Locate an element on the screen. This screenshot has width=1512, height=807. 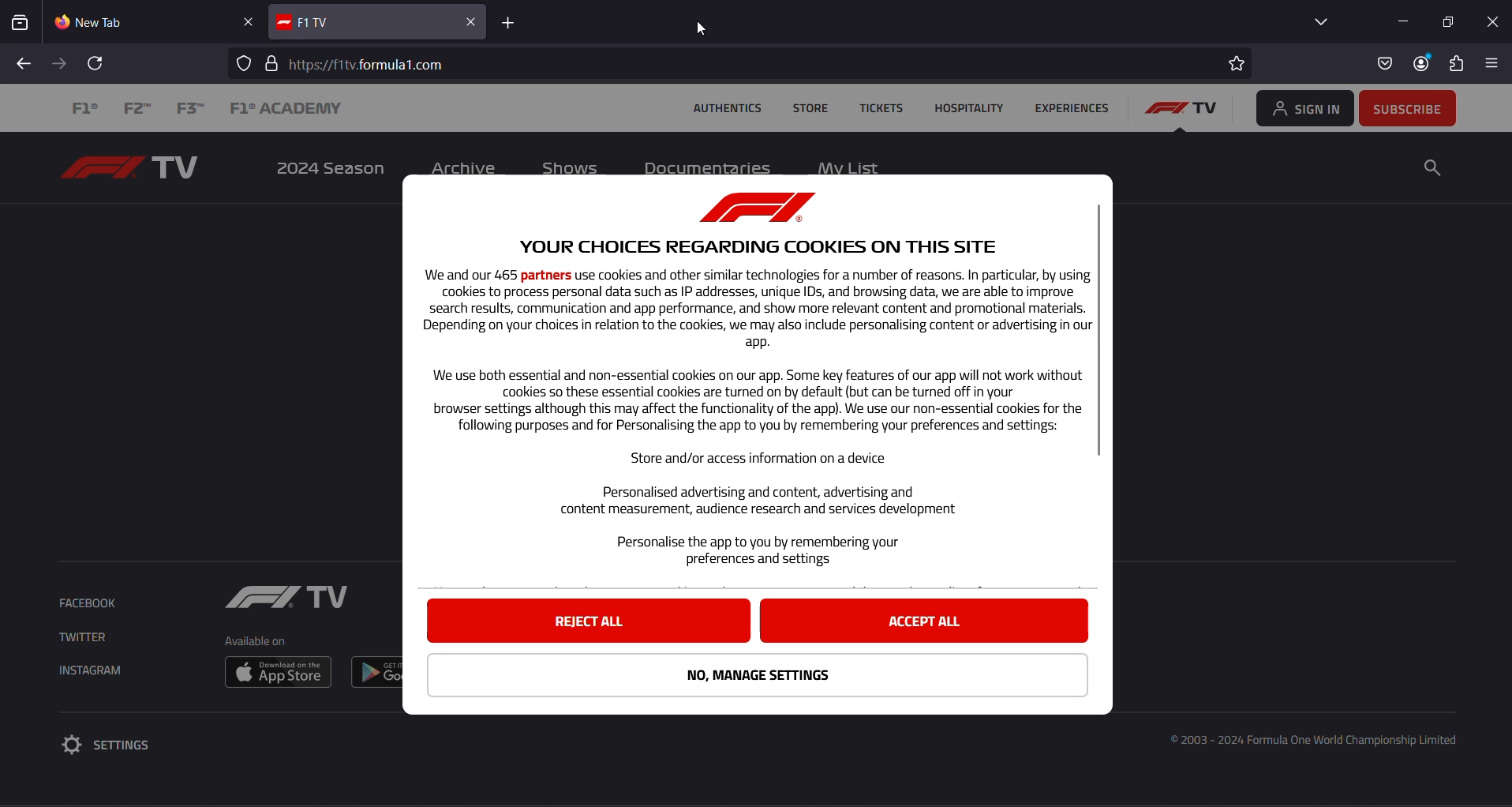
account is located at coordinates (1421, 65).